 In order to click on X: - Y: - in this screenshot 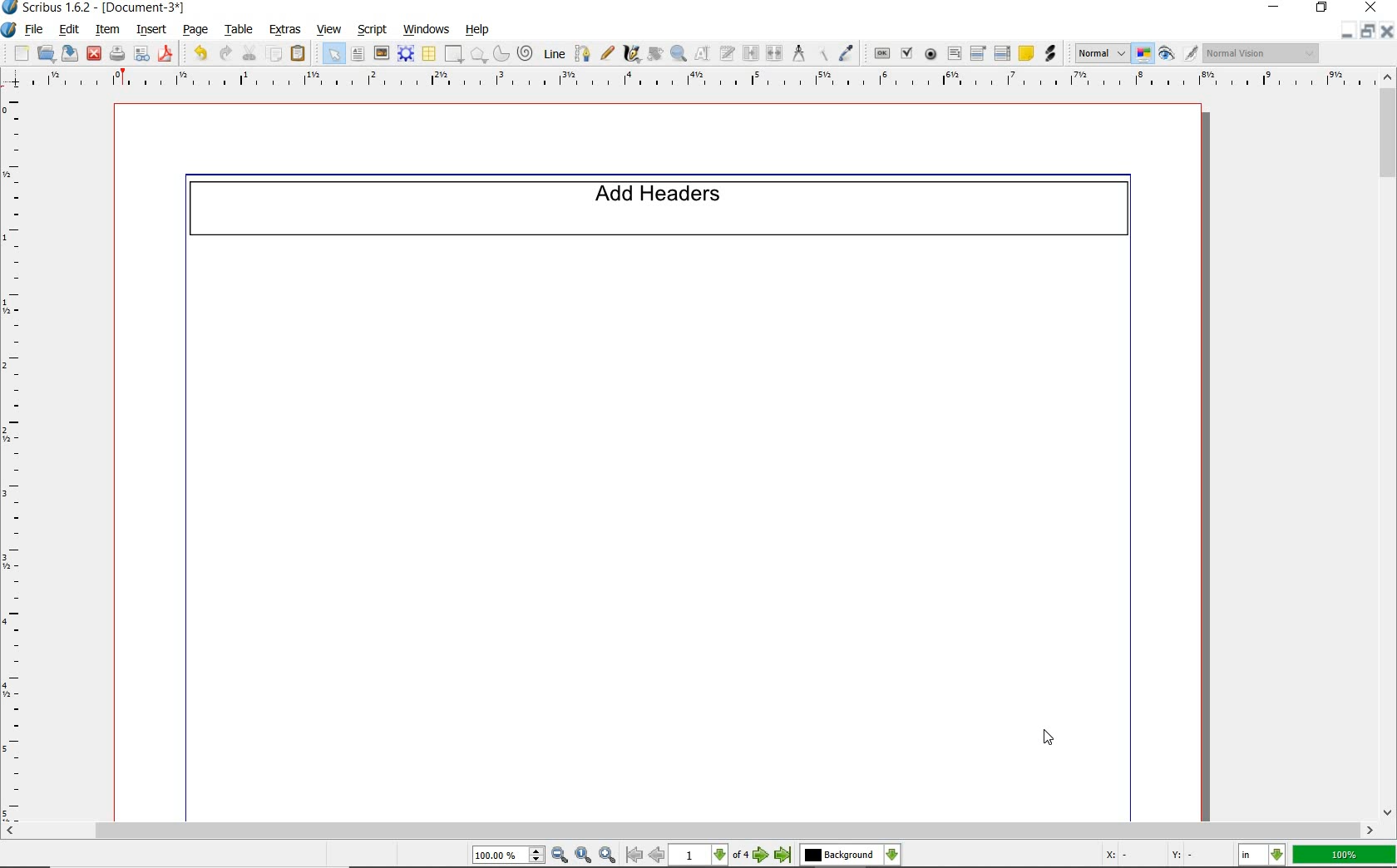, I will do `click(1146, 855)`.